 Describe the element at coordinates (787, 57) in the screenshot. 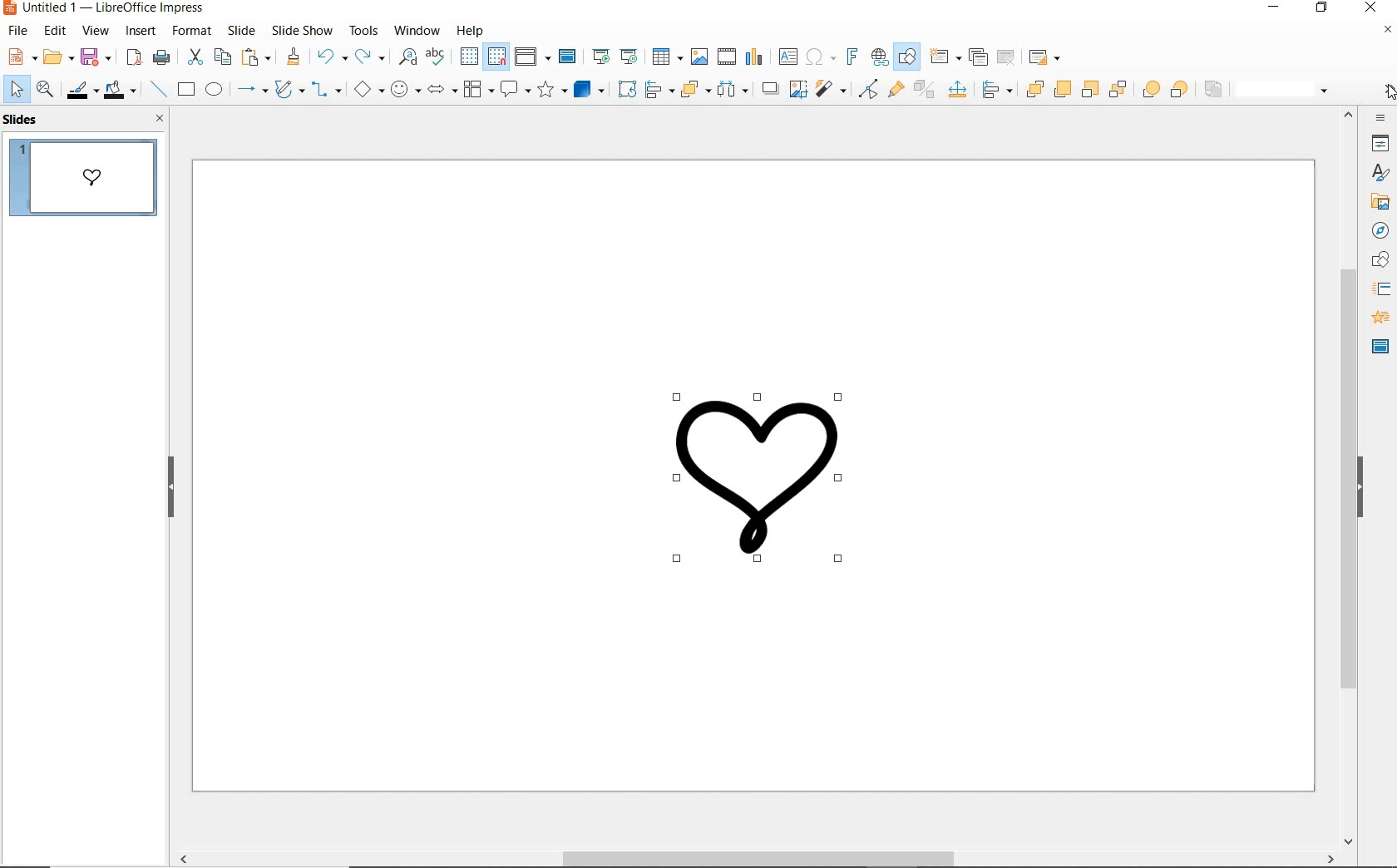

I see `insert text box` at that location.